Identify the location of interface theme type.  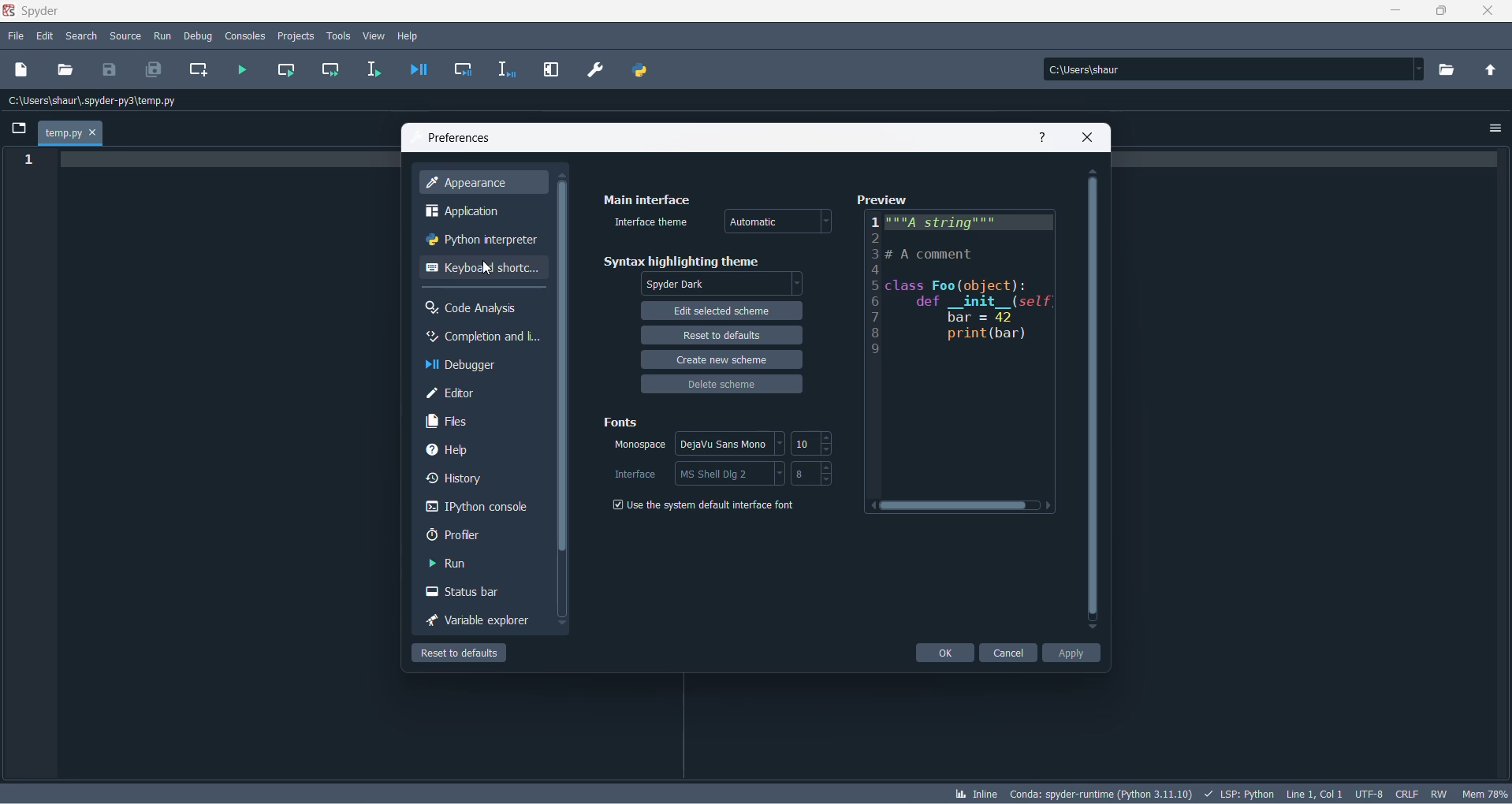
(780, 223).